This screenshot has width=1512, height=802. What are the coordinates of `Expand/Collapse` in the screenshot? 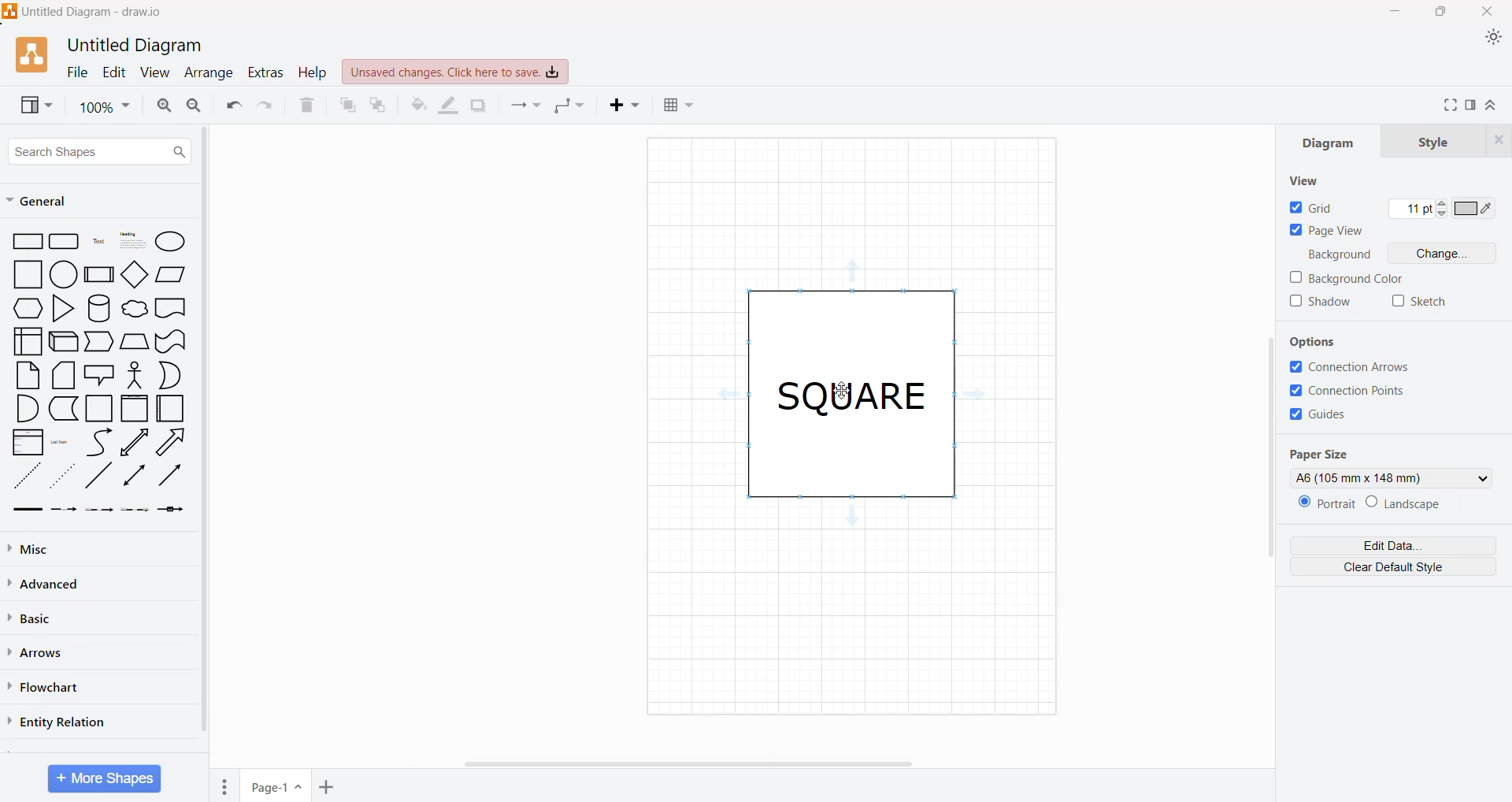 It's located at (1491, 105).